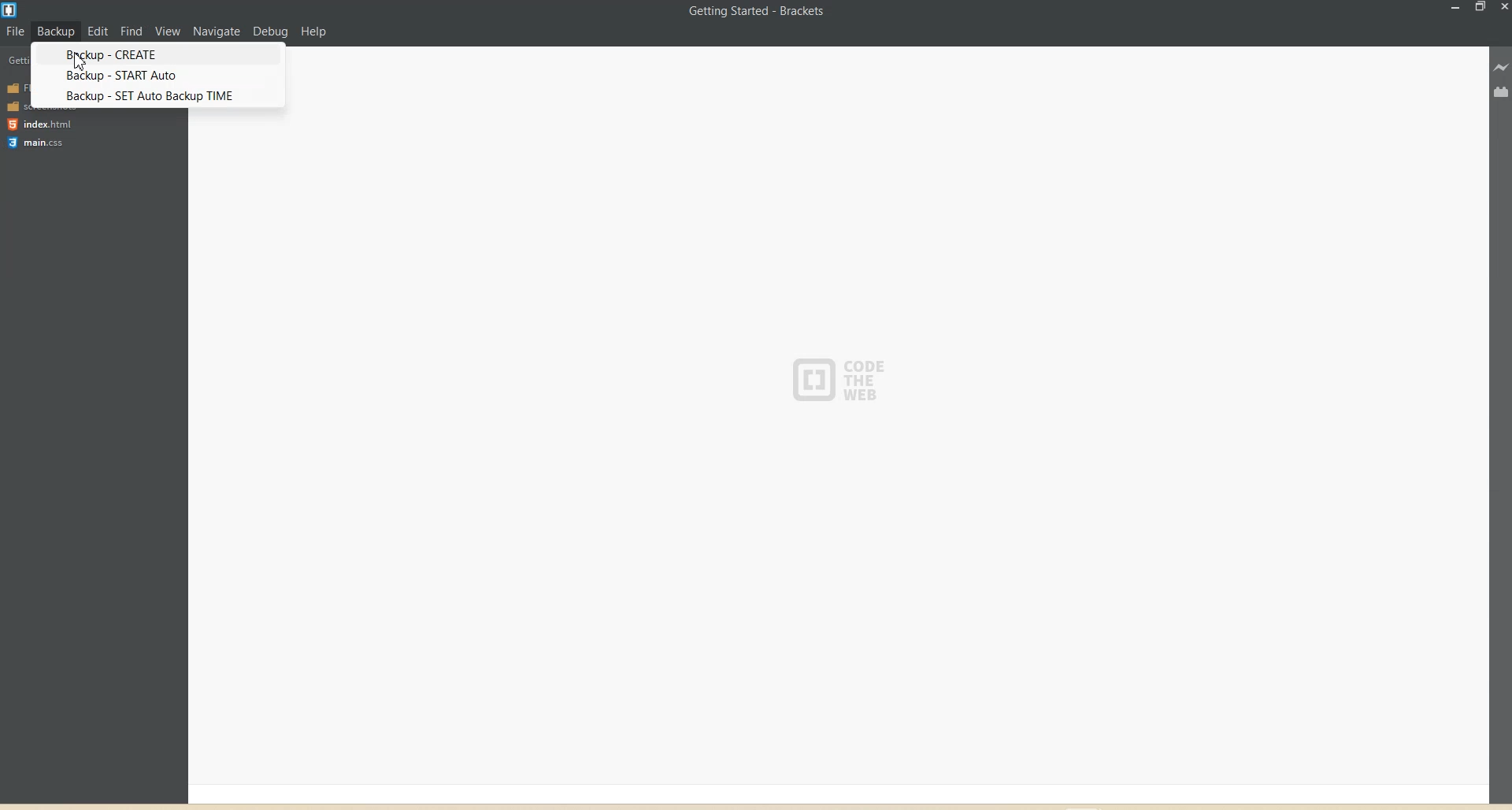 This screenshot has height=810, width=1512. What do you see at coordinates (81, 65) in the screenshot?
I see `Cursor` at bounding box center [81, 65].